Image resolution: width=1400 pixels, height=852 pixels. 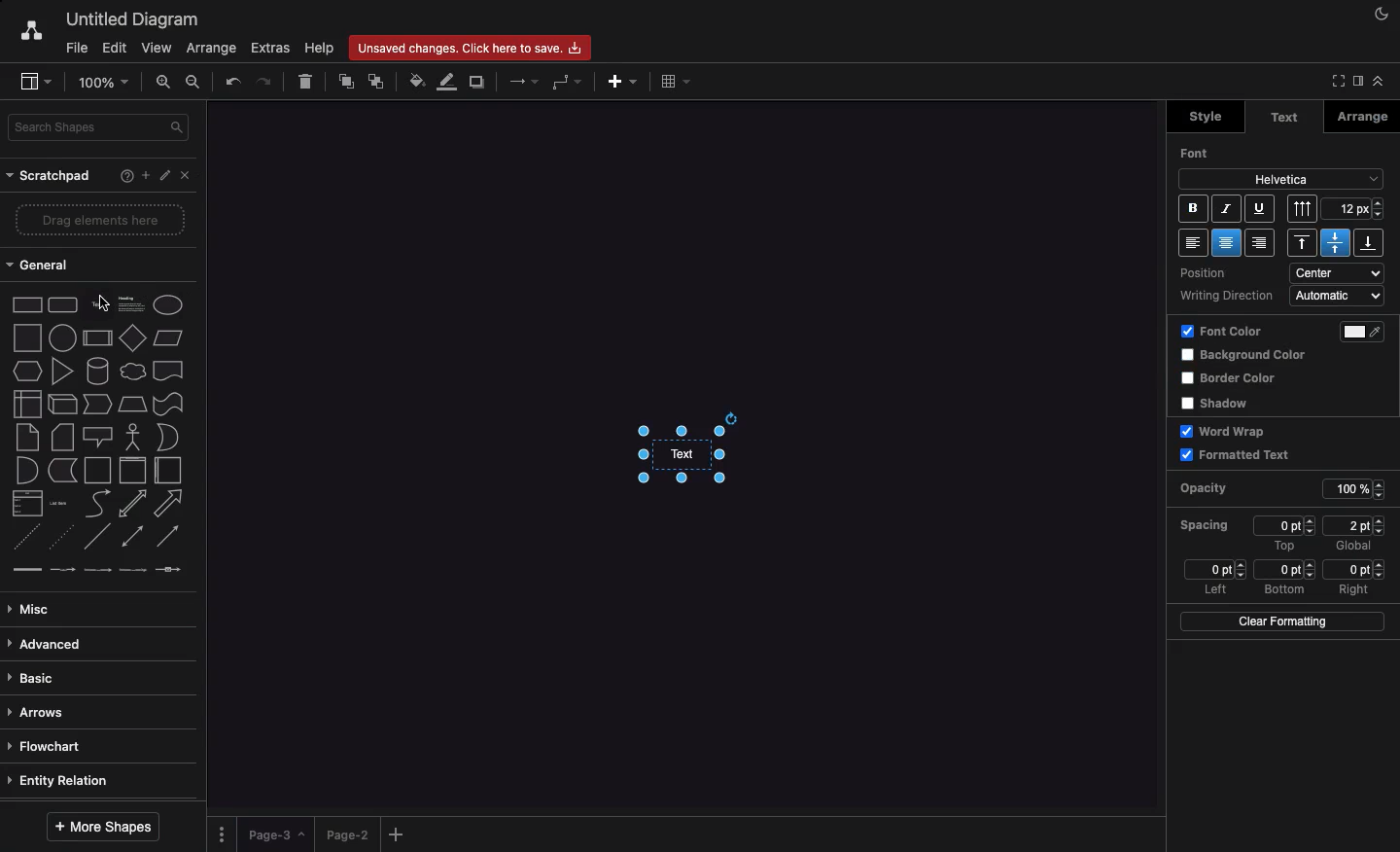 What do you see at coordinates (1192, 208) in the screenshot?
I see `Bold` at bounding box center [1192, 208].